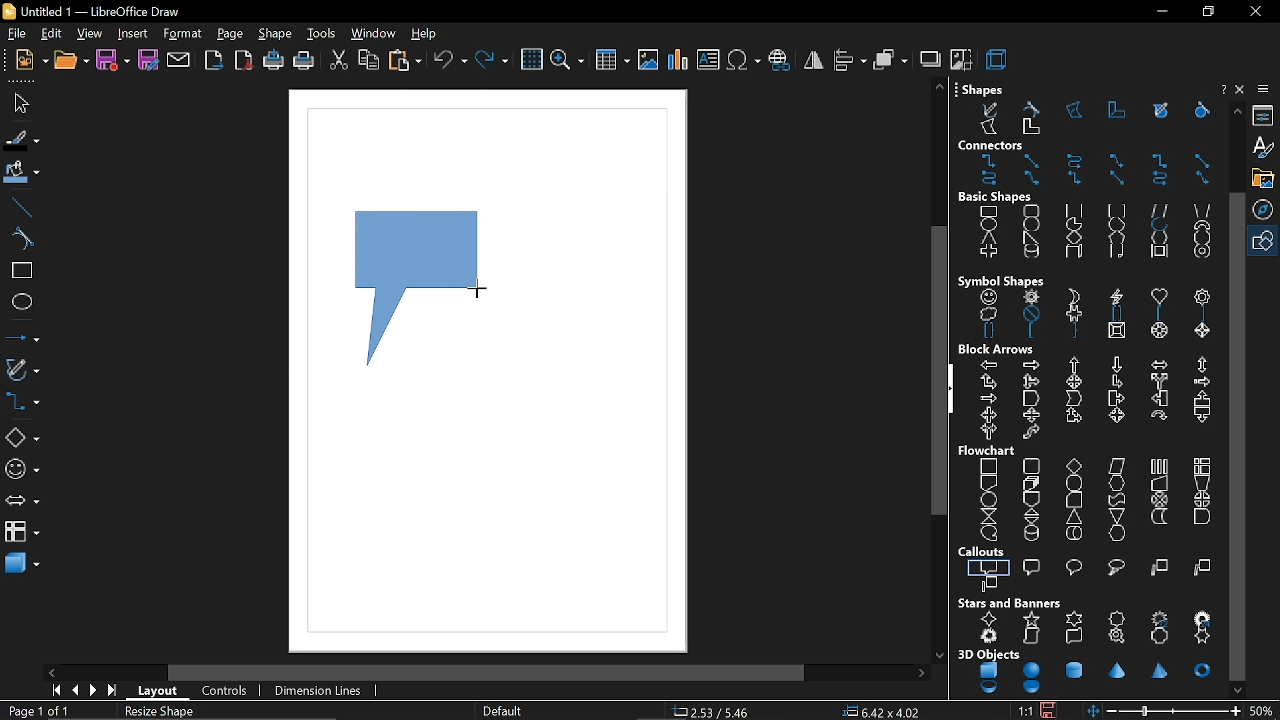 This screenshot has width=1280, height=720. Describe the element at coordinates (305, 62) in the screenshot. I see `print` at that location.